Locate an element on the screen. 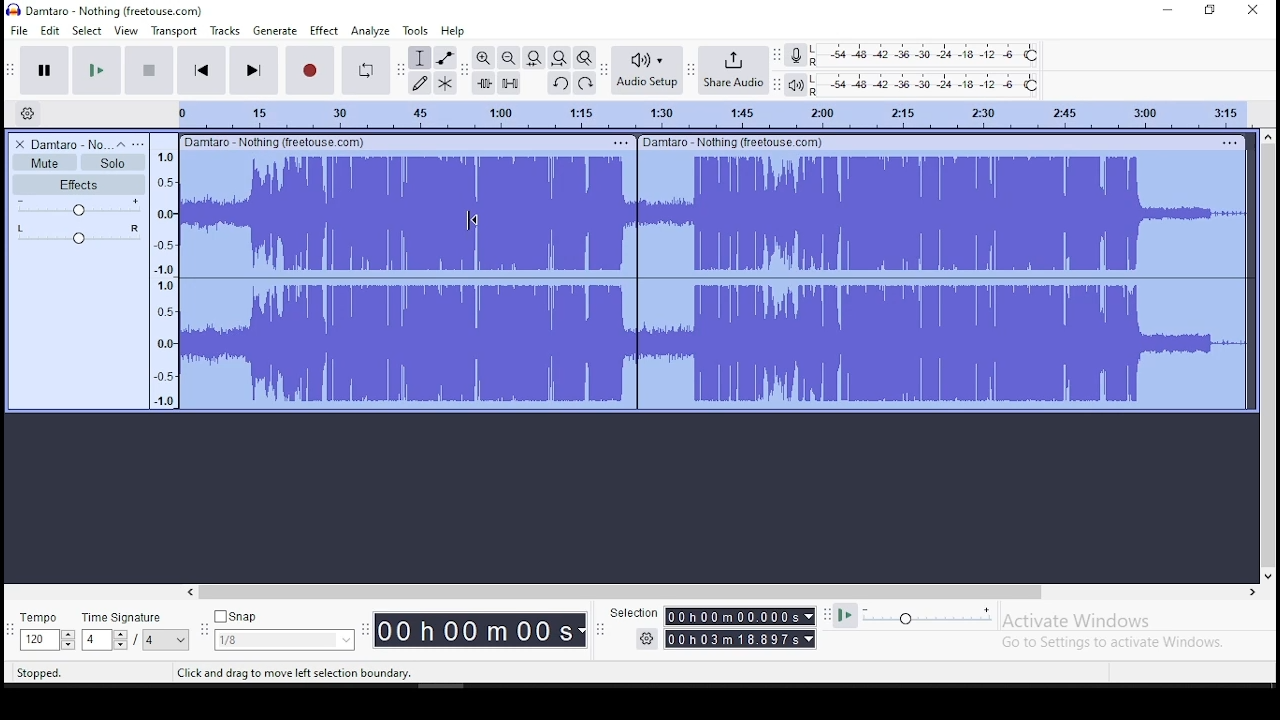  zoom out is located at coordinates (509, 57).